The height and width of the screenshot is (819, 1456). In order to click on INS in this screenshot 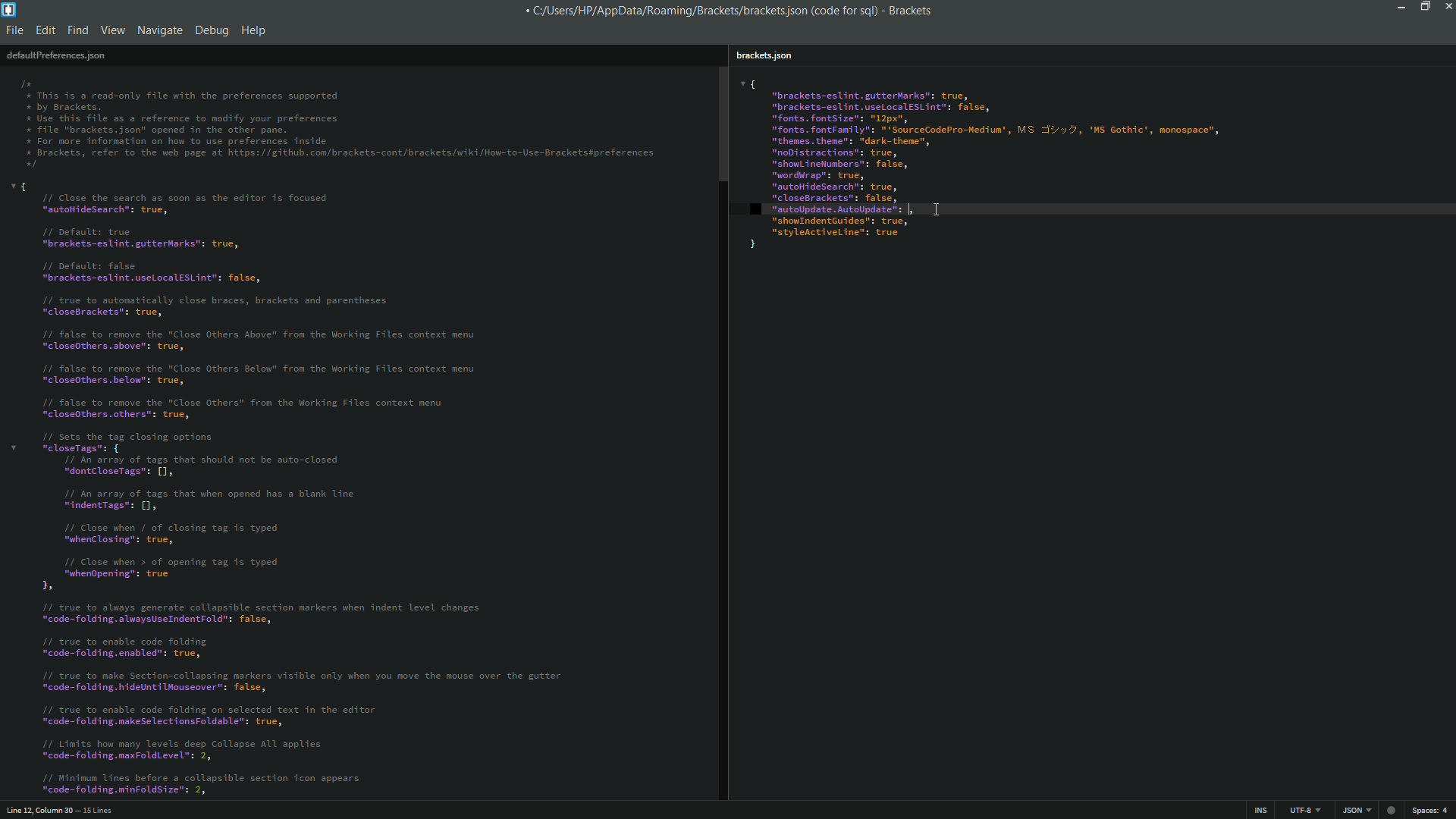, I will do `click(1262, 810)`.